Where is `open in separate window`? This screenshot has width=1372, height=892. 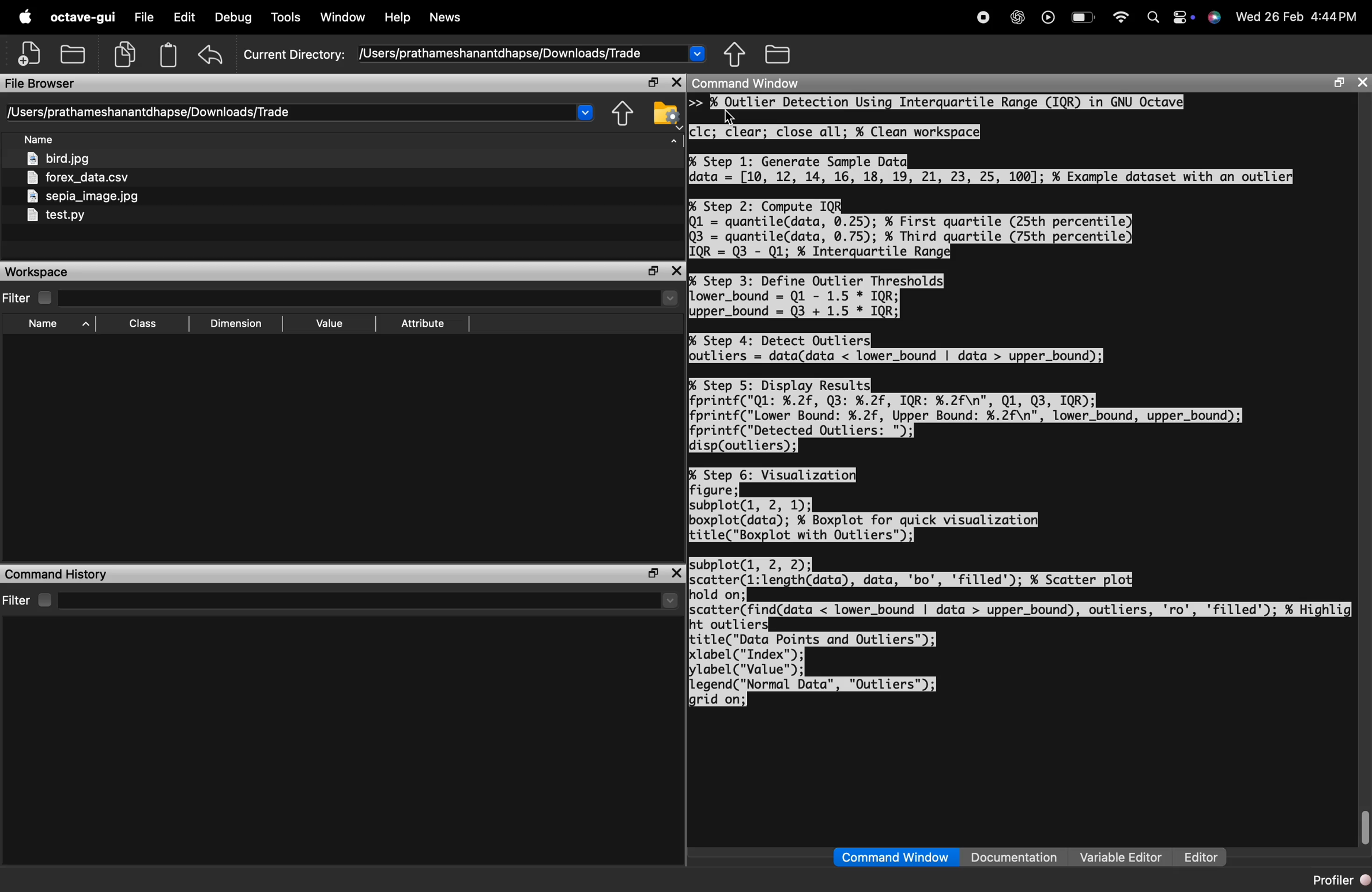
open in separate window is located at coordinates (654, 573).